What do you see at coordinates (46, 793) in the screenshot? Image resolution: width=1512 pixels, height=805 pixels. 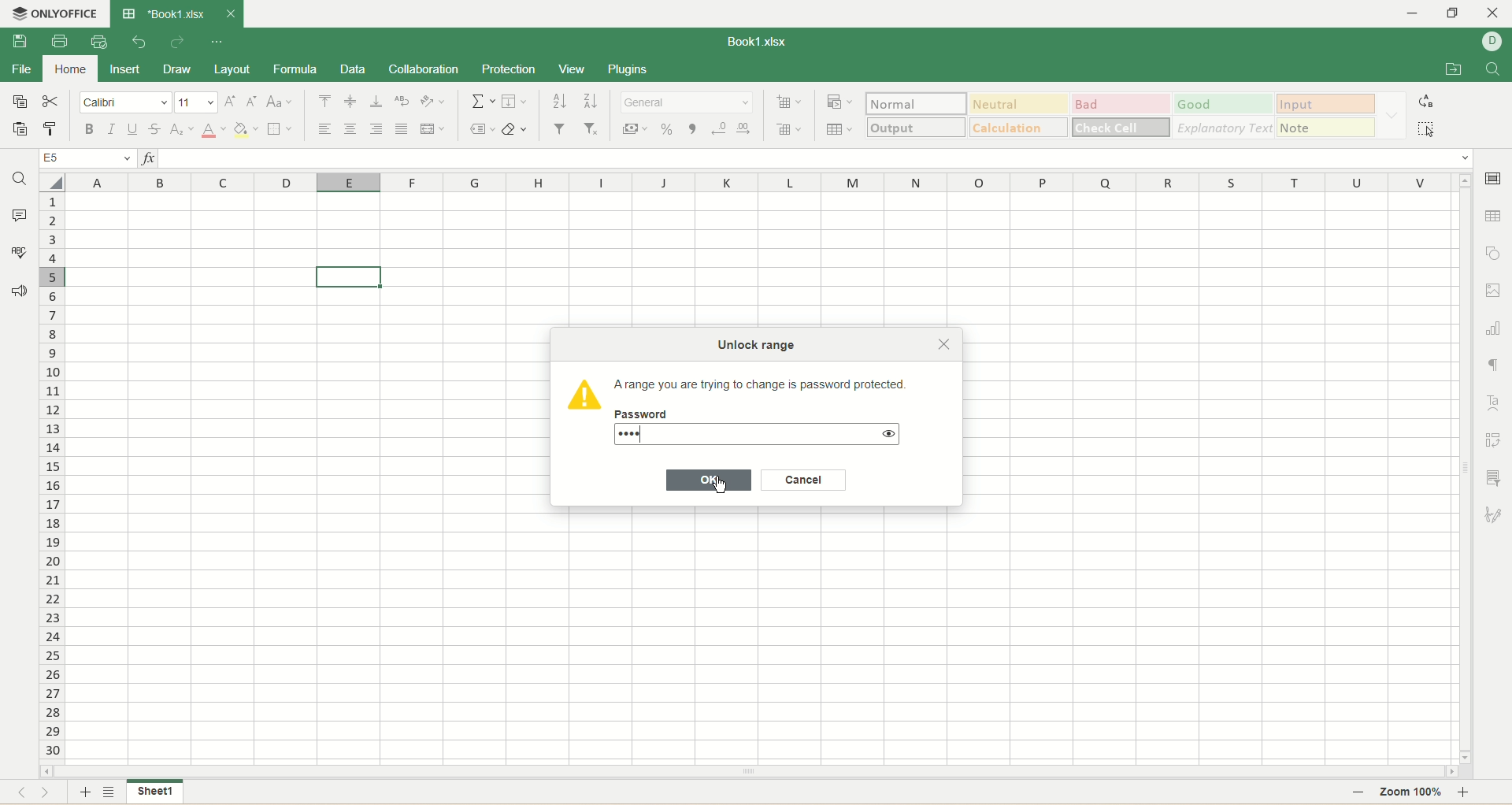 I see `next` at bounding box center [46, 793].